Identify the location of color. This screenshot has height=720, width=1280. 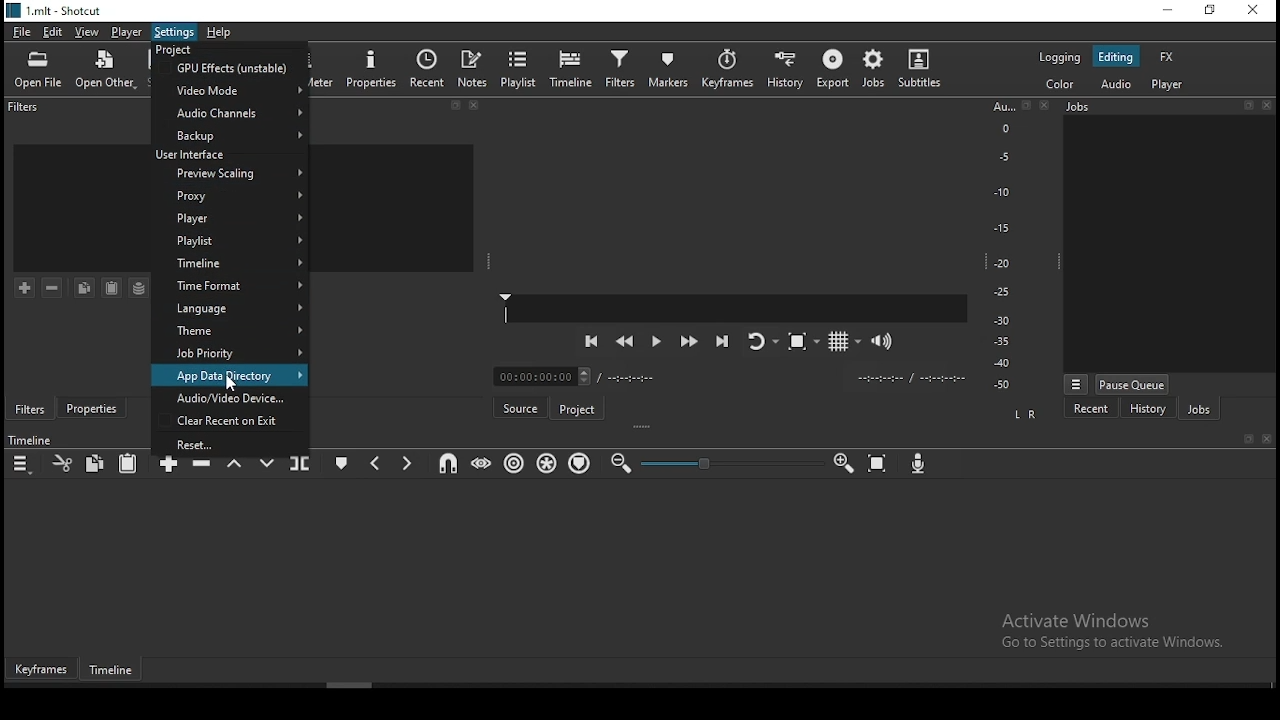
(1057, 85).